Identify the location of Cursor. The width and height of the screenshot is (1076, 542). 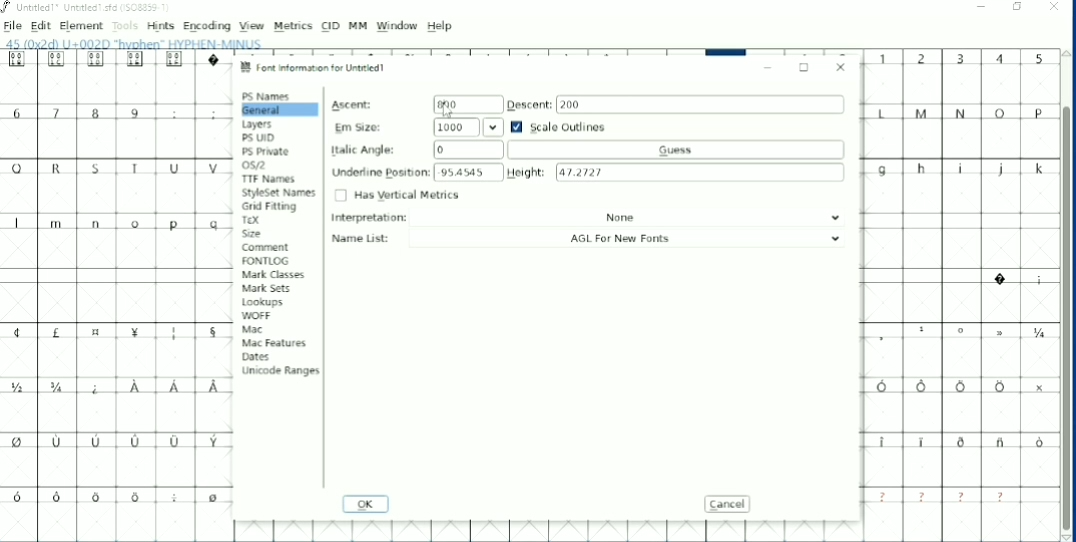
(448, 112).